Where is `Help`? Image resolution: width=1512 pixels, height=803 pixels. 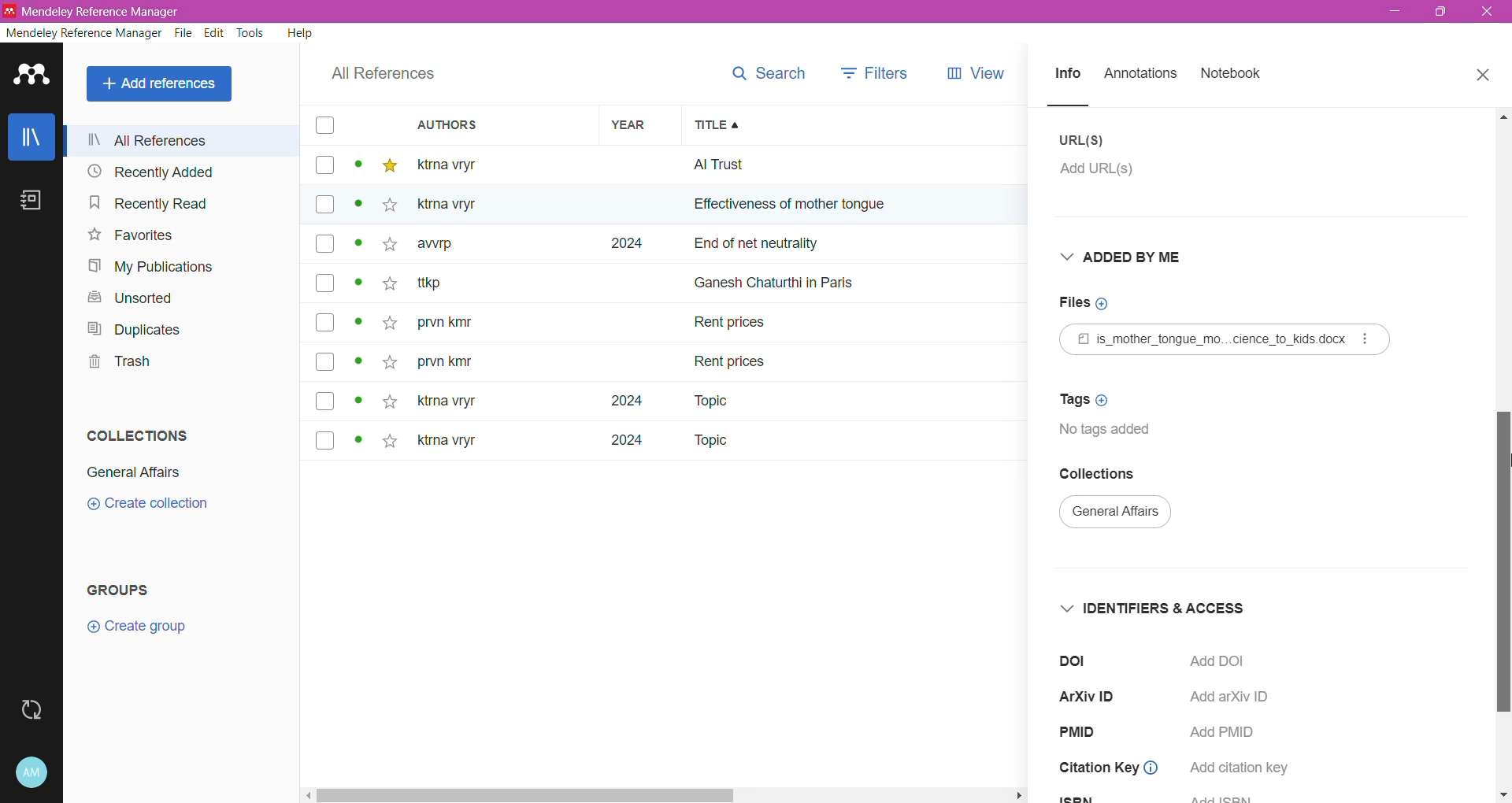
Help is located at coordinates (301, 32).